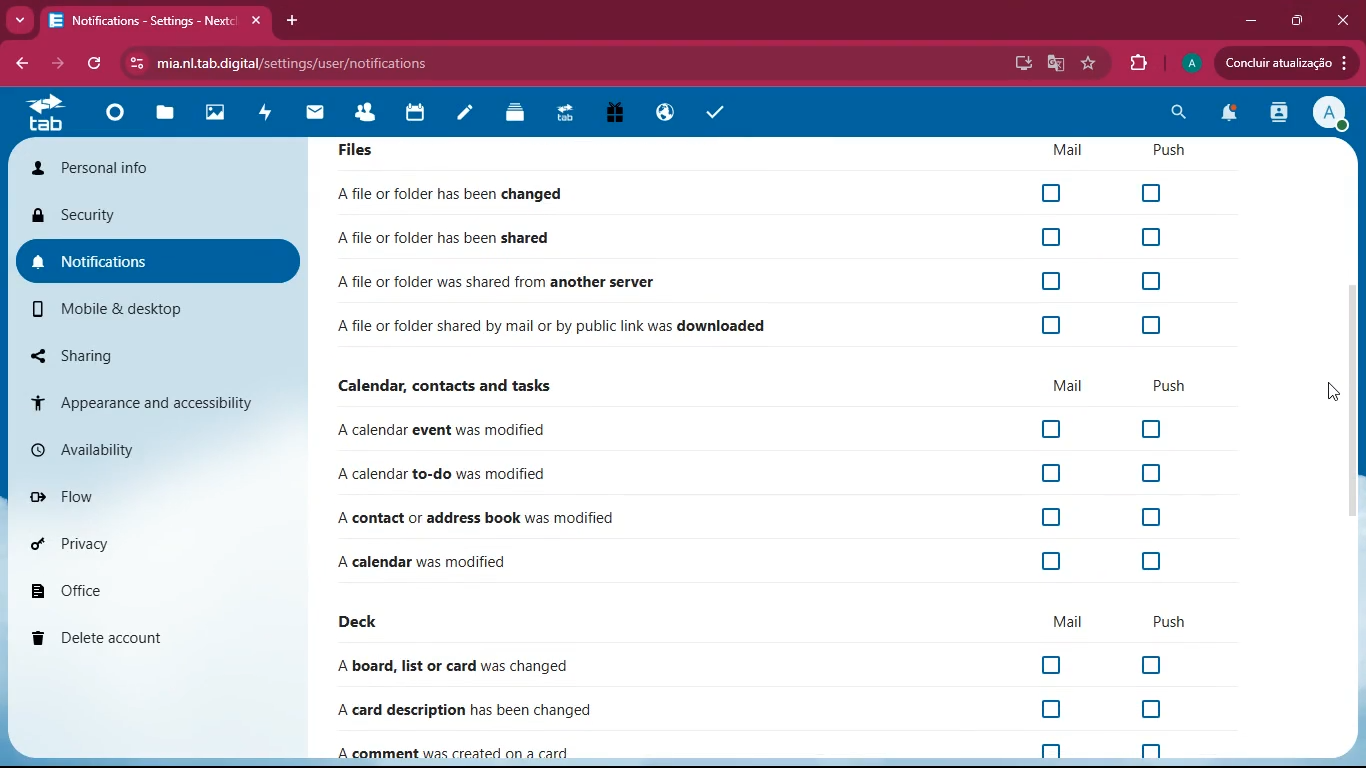 The image size is (1366, 768). Describe the element at coordinates (121, 117) in the screenshot. I see `home` at that location.